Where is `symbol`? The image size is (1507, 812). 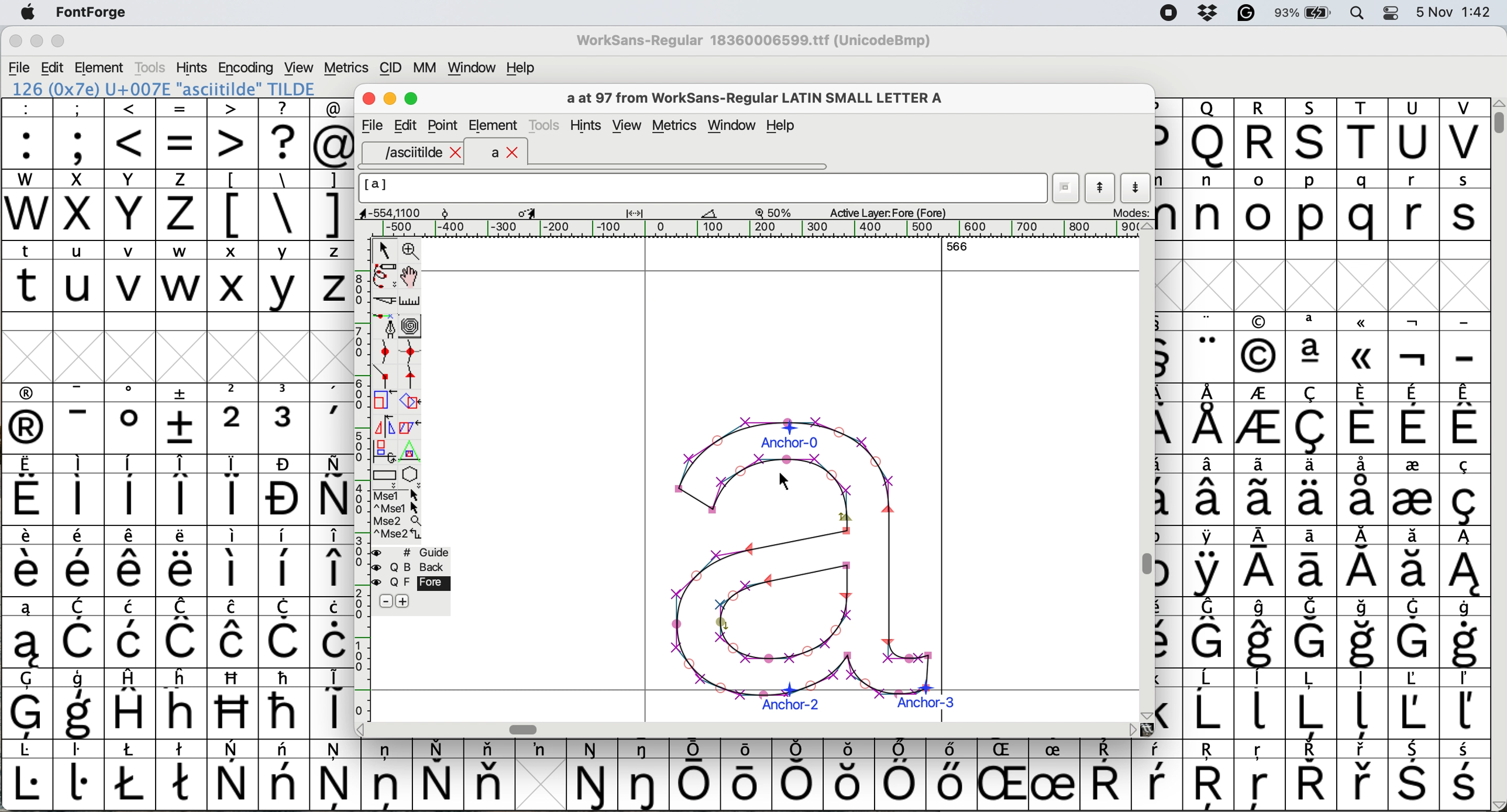
symbol is located at coordinates (1261, 702).